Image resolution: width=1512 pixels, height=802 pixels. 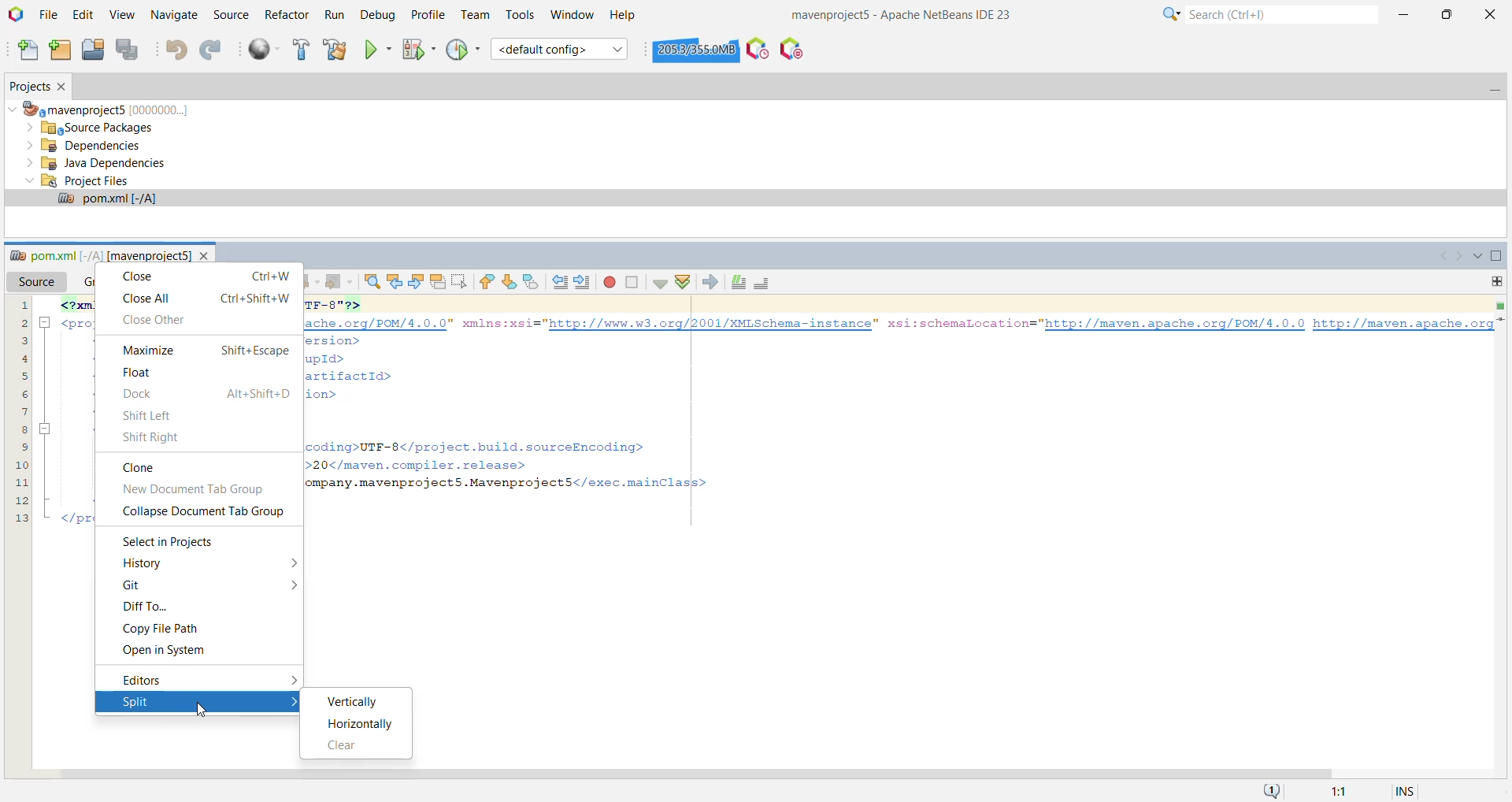 I want to click on Toggle Bookmark, so click(x=532, y=283).